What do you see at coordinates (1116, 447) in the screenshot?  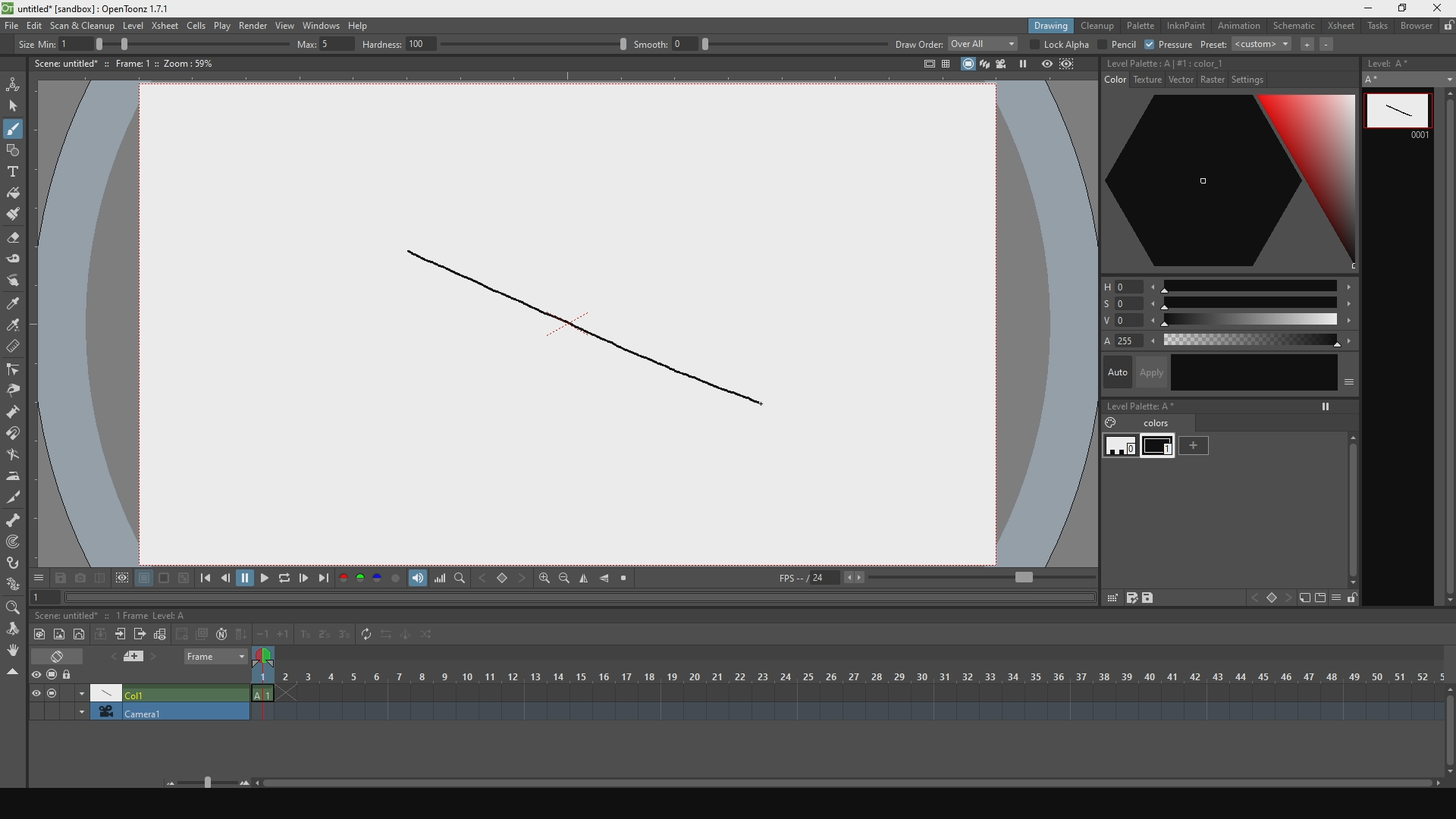 I see `white` at bounding box center [1116, 447].